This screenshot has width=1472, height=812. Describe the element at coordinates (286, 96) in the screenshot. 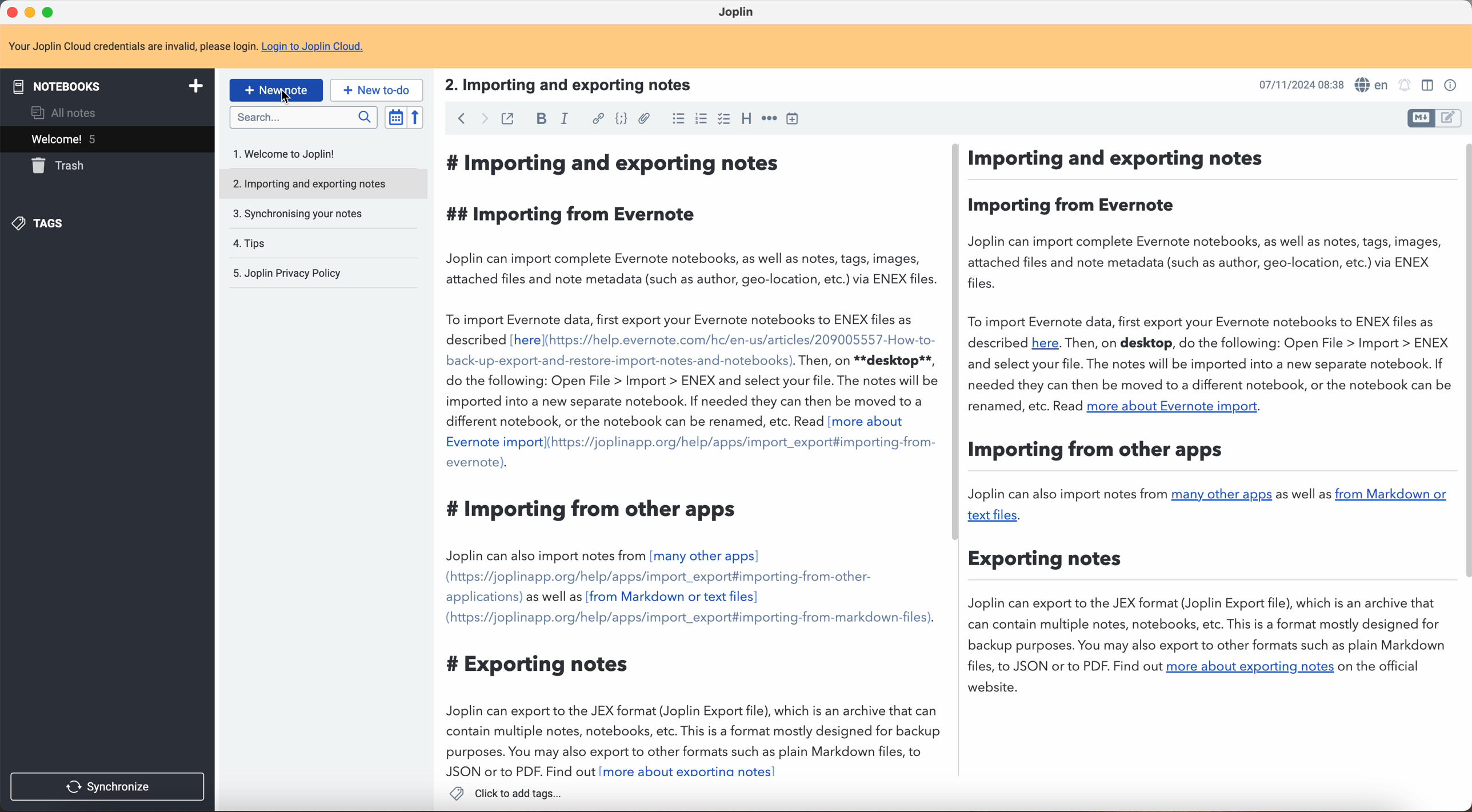

I see `Cursor` at that location.